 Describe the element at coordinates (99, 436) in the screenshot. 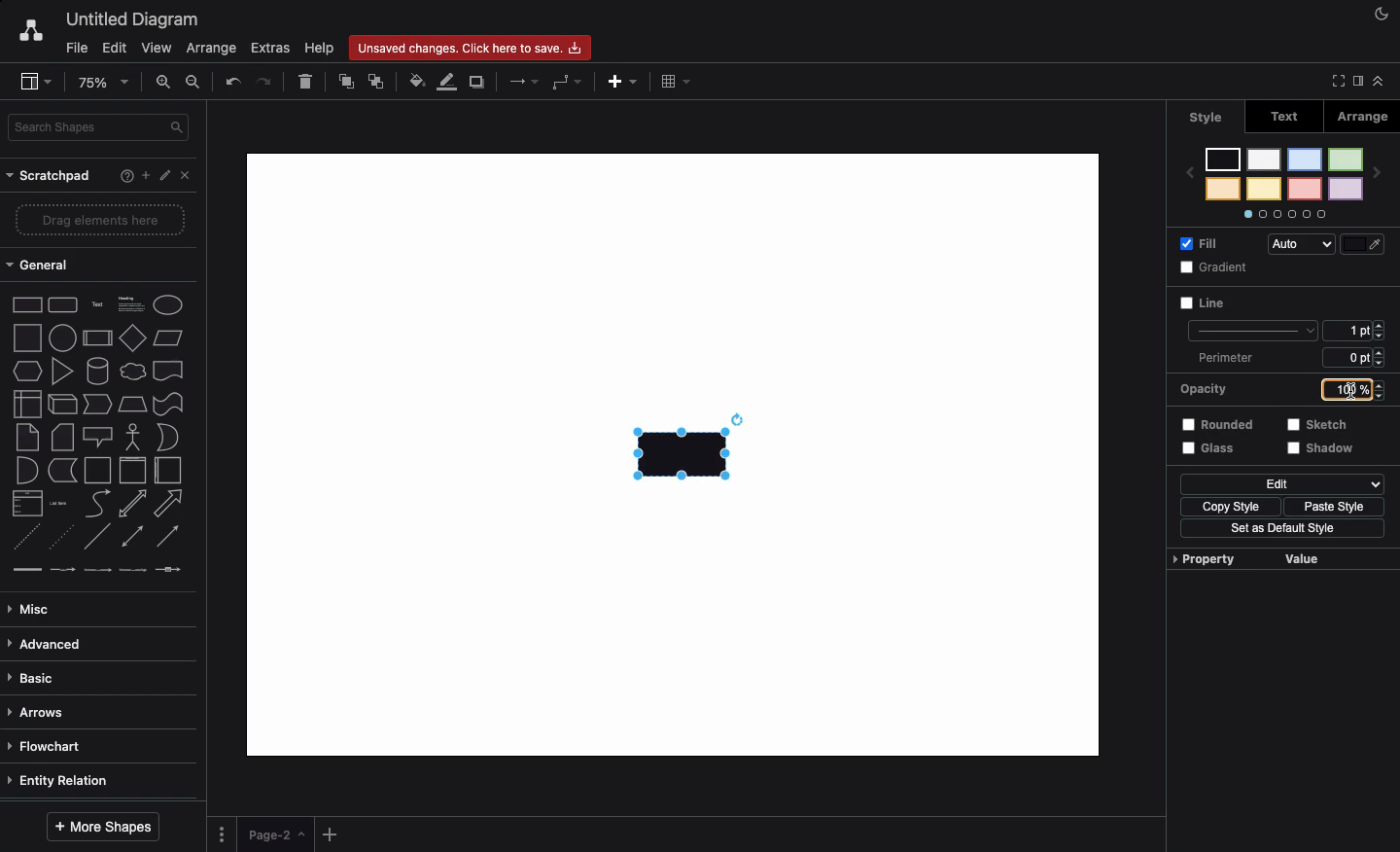

I see `callout` at that location.